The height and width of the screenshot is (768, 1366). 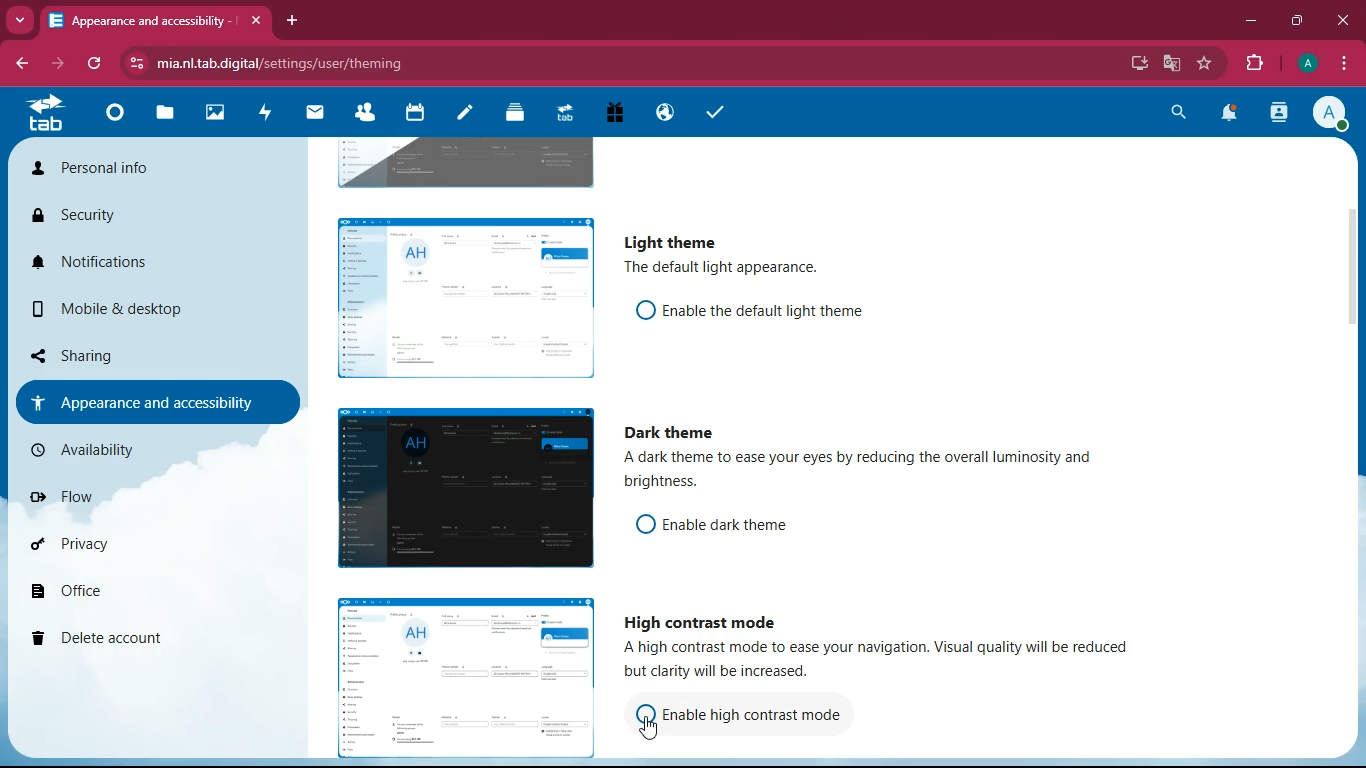 I want to click on privacy, so click(x=117, y=551).